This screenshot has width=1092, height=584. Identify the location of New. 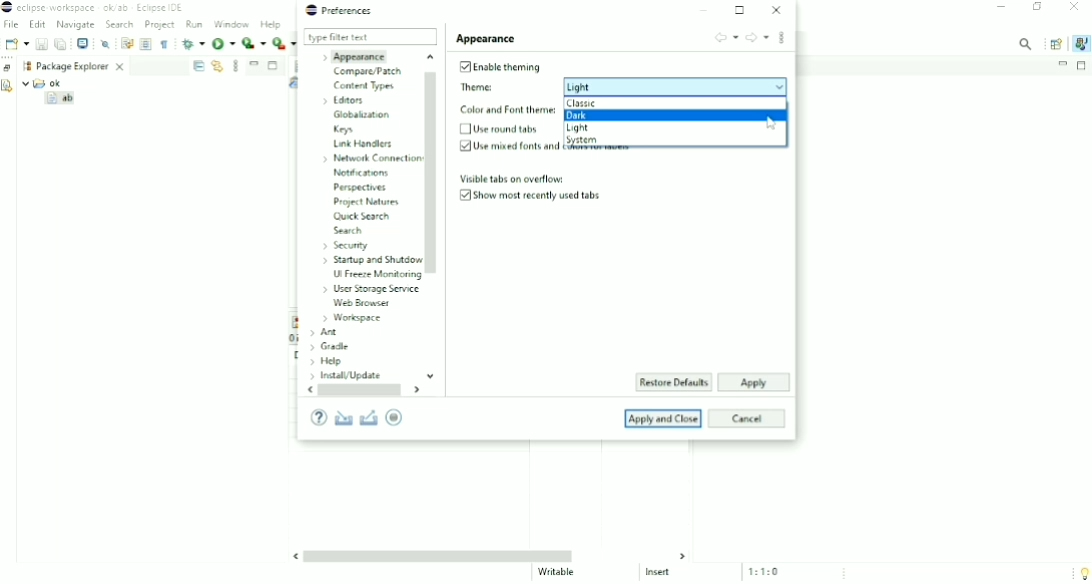
(15, 44).